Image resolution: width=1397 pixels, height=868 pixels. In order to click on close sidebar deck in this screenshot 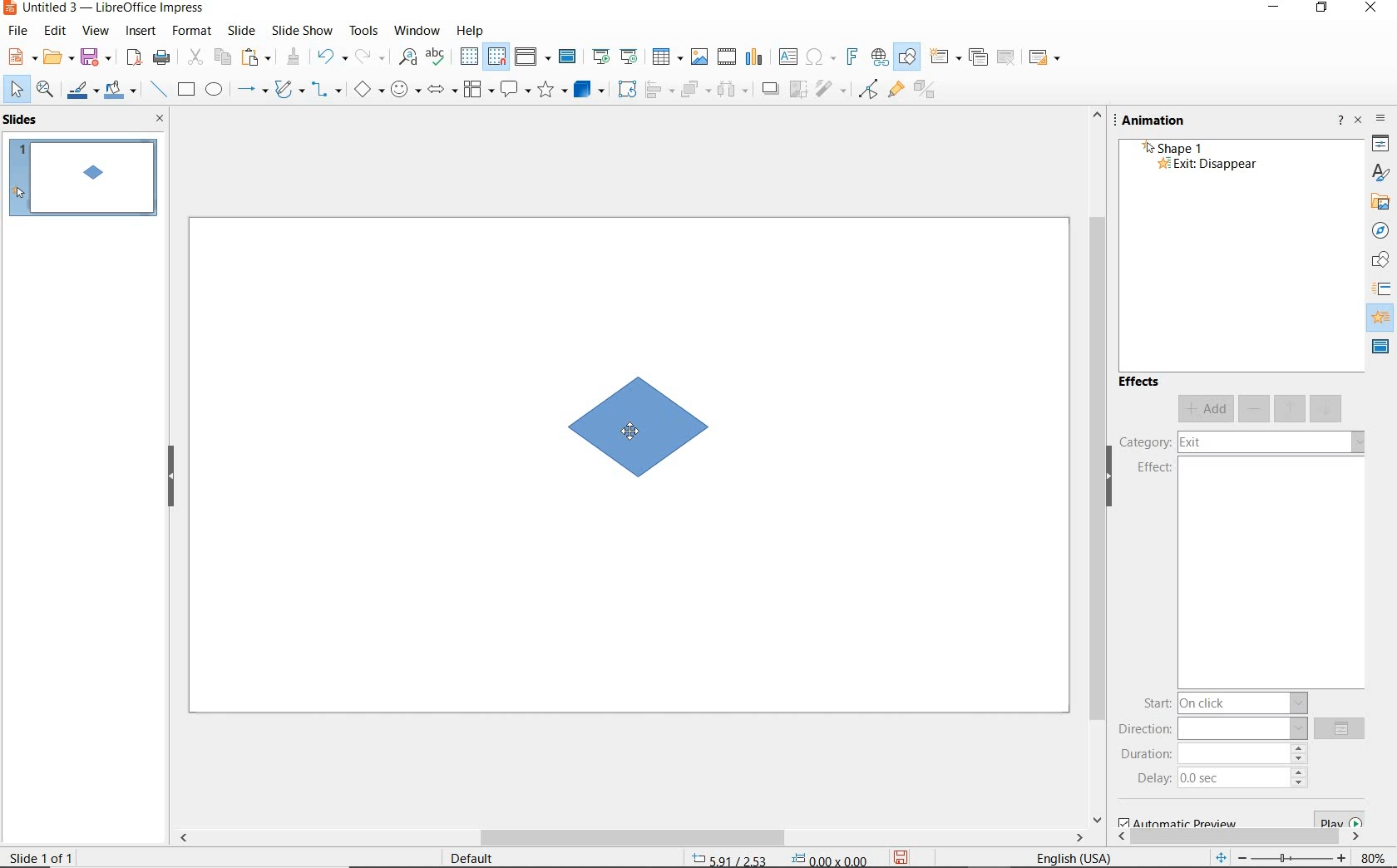, I will do `click(1359, 123)`.